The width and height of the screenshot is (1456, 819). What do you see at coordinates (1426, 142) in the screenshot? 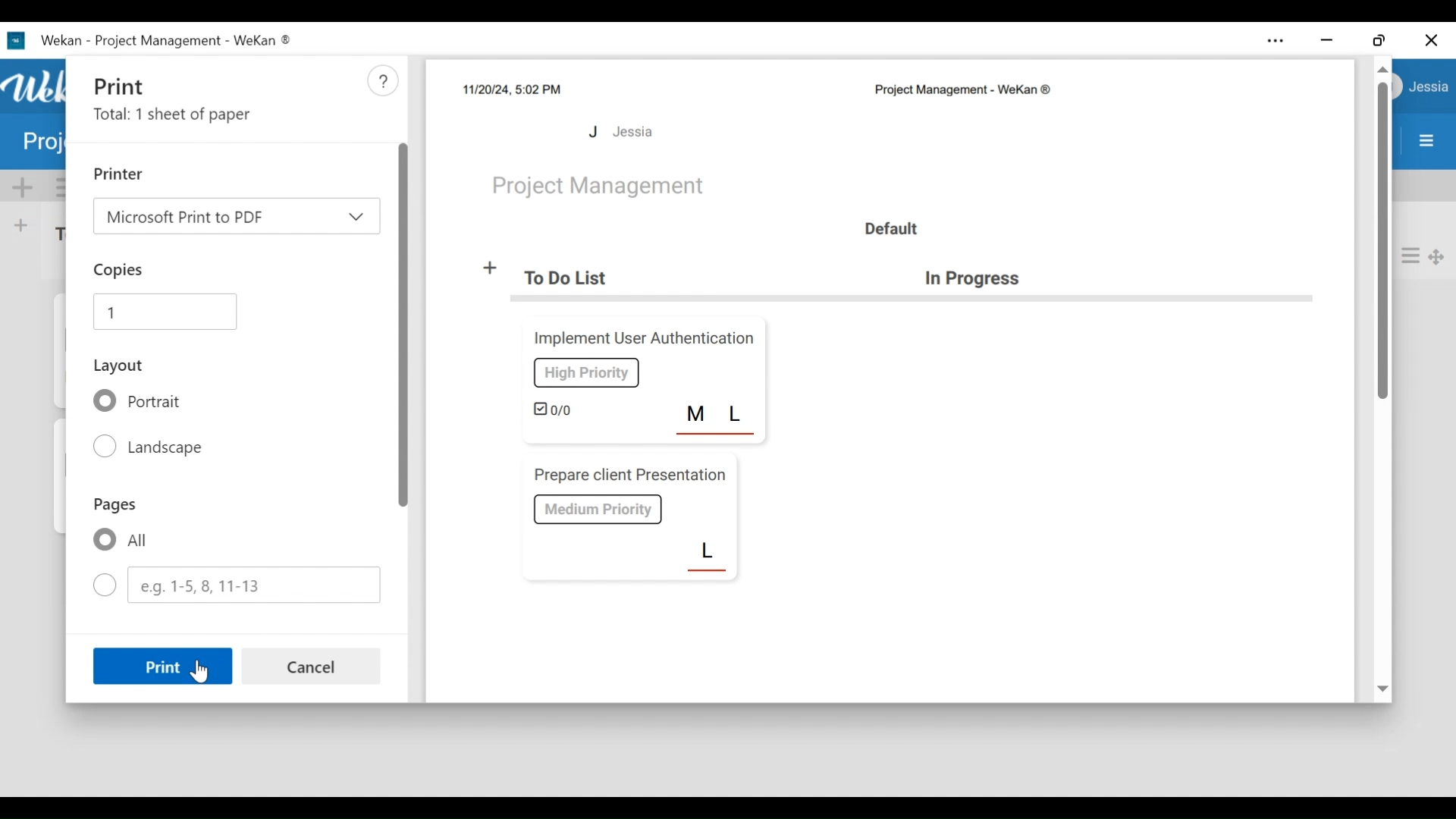
I see `Open/Close Sidebar` at bounding box center [1426, 142].